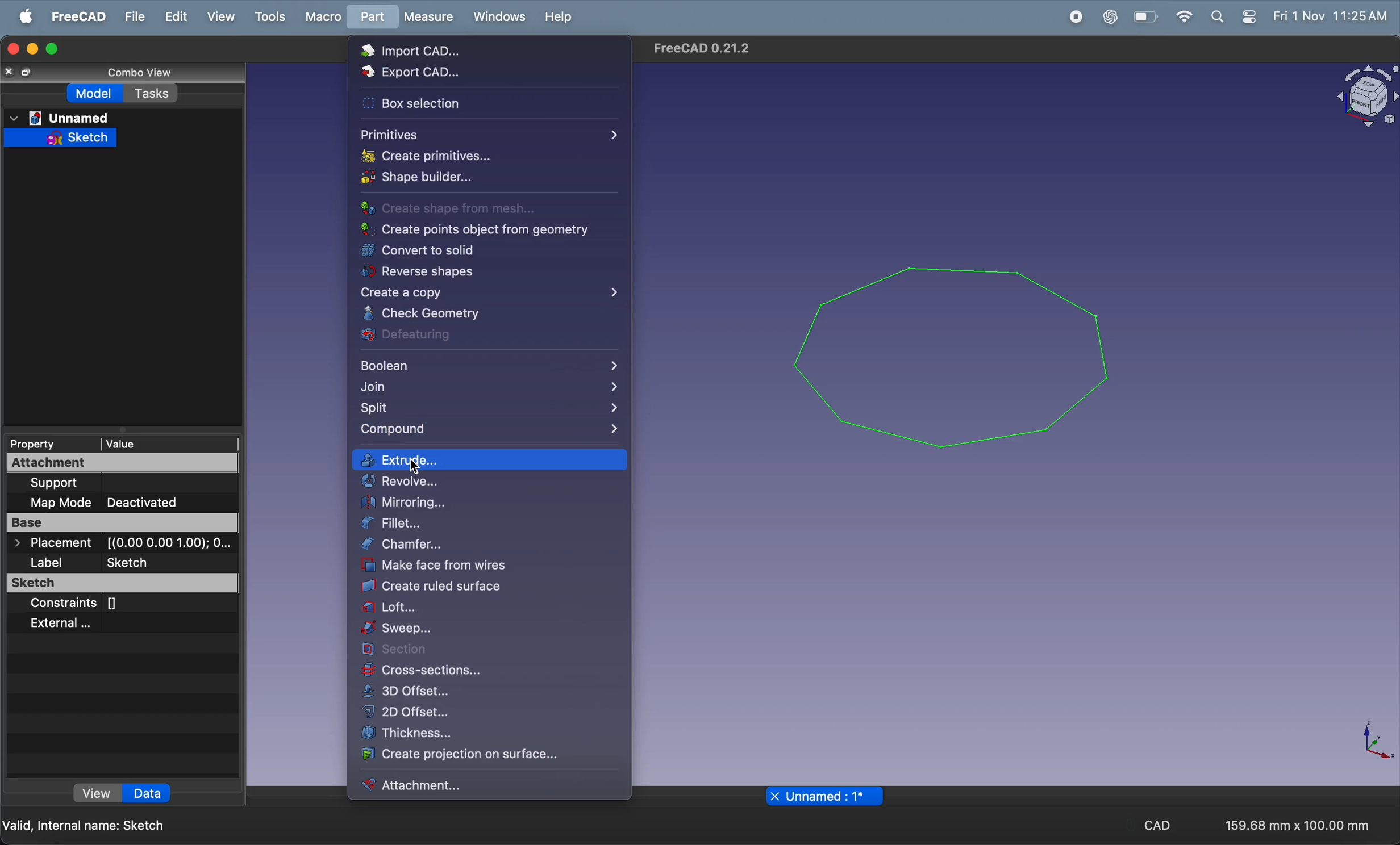  I want to click on import cad, so click(428, 51).